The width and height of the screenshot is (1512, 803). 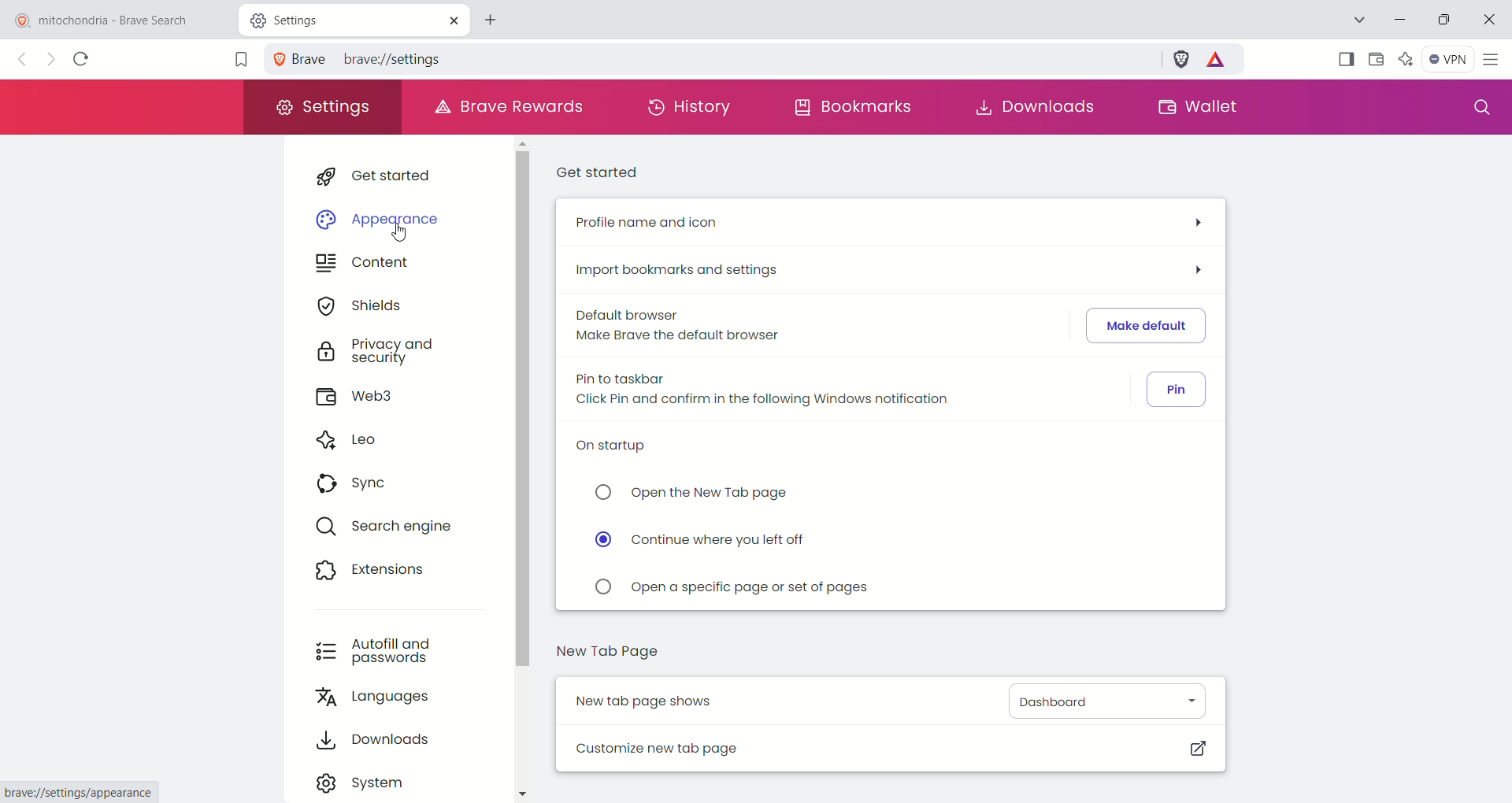 What do you see at coordinates (1147, 325) in the screenshot?
I see `make default` at bounding box center [1147, 325].